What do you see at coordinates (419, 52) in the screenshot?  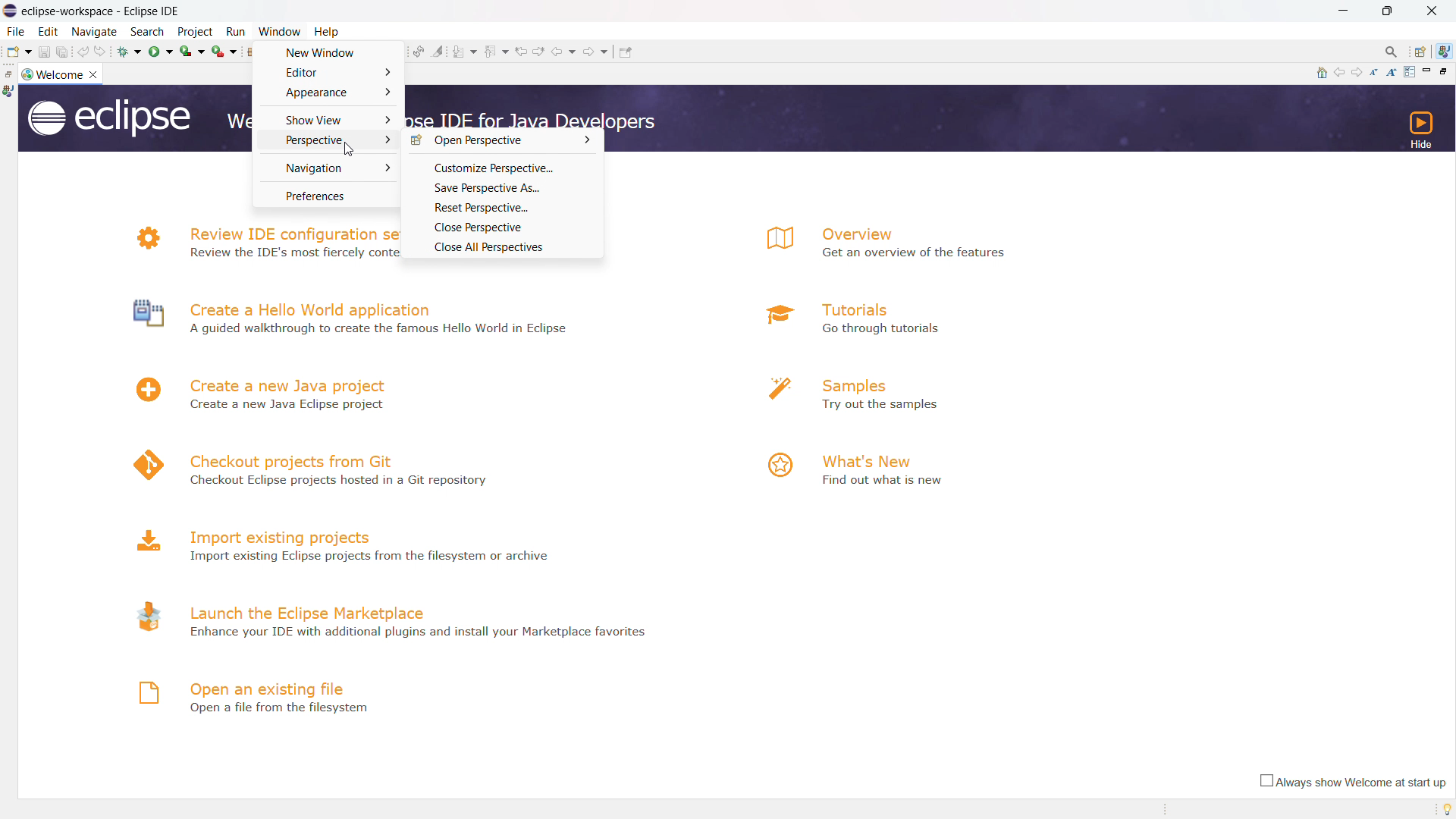 I see `toggle ant editpr audio reconcile` at bounding box center [419, 52].